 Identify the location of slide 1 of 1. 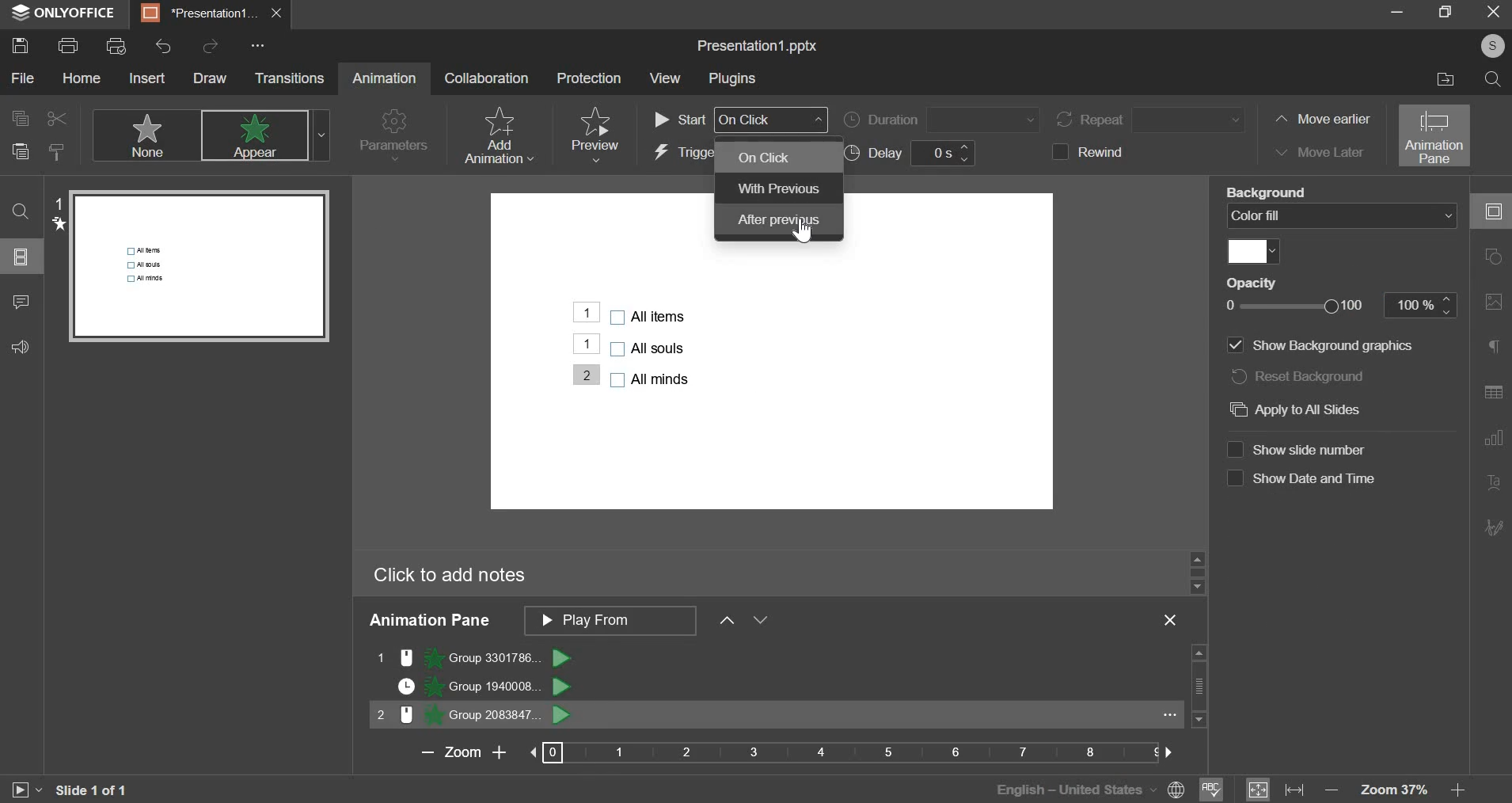
(90, 790).